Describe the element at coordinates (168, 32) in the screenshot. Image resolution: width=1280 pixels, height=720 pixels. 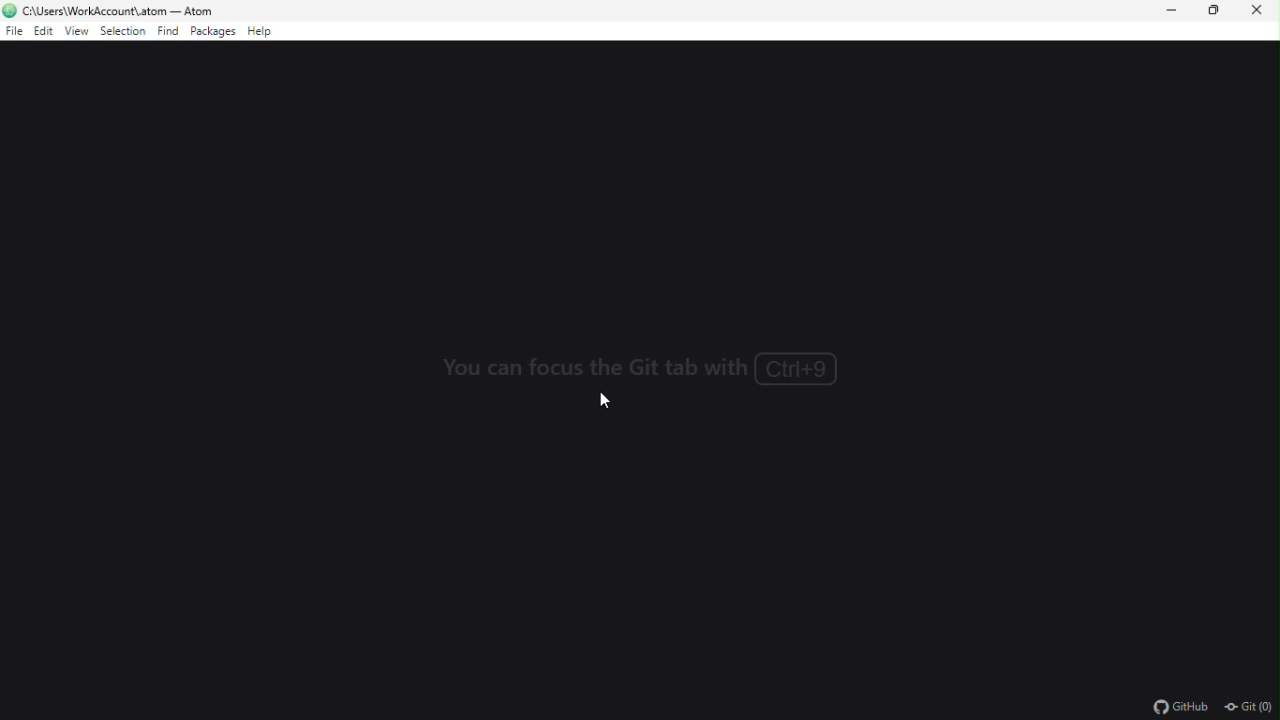
I see `find ` at that location.